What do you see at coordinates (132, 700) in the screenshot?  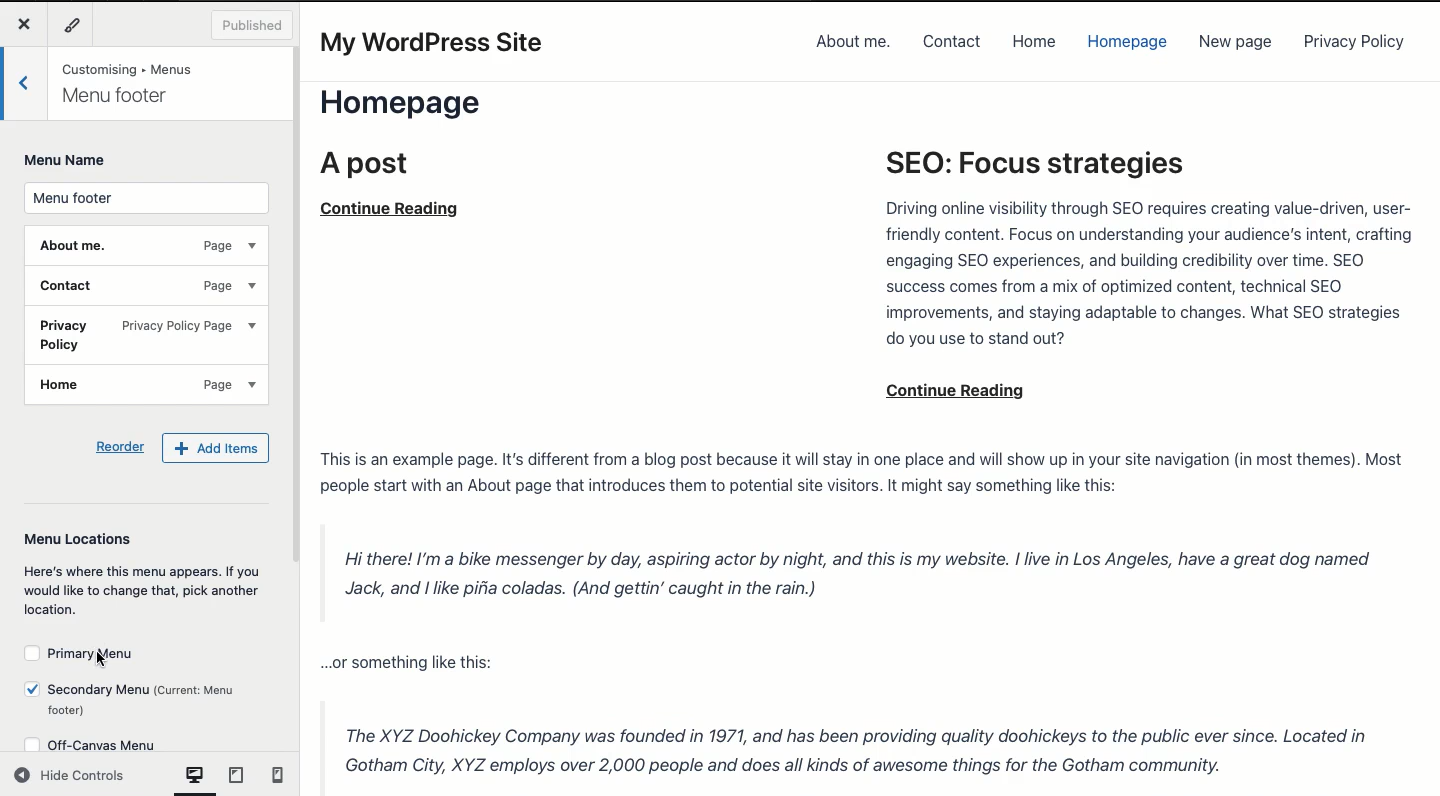 I see `Secondary menu` at bounding box center [132, 700].